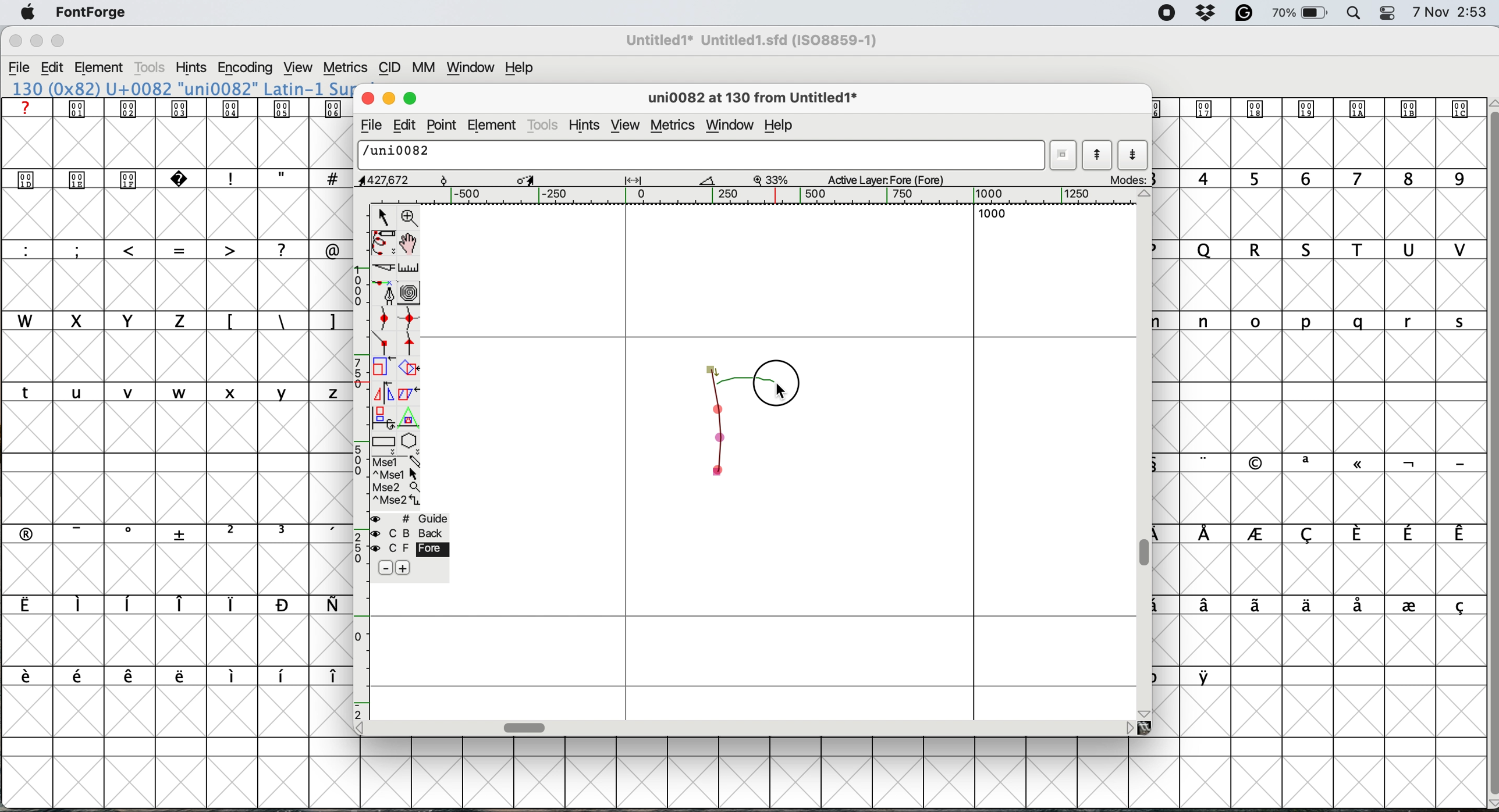 Image resolution: width=1499 pixels, height=812 pixels. I want to click on glyph, so click(702, 156).